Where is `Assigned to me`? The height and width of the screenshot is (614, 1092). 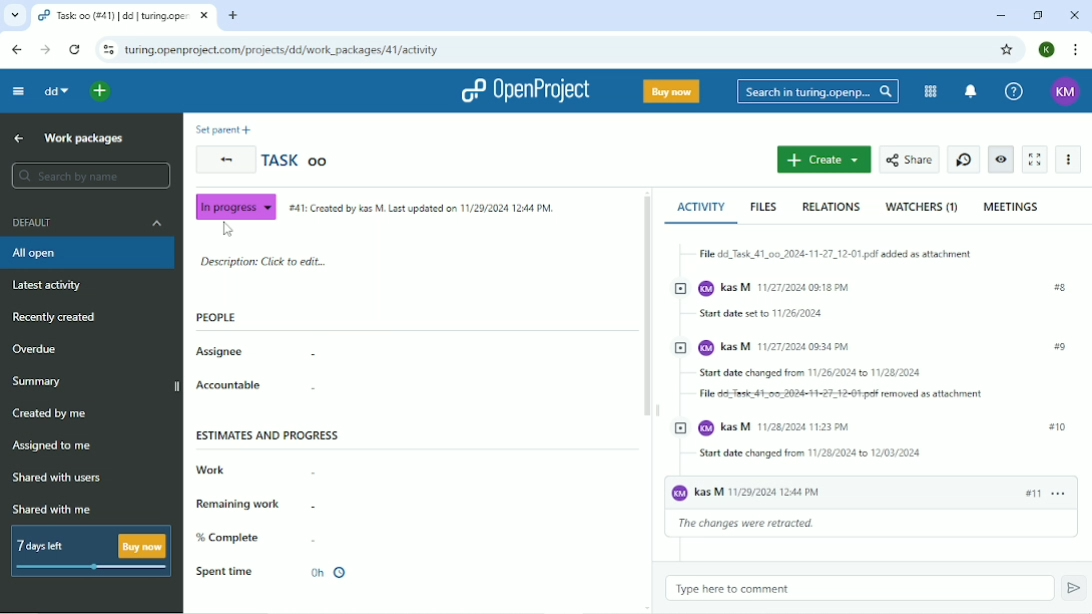 Assigned to me is located at coordinates (55, 445).